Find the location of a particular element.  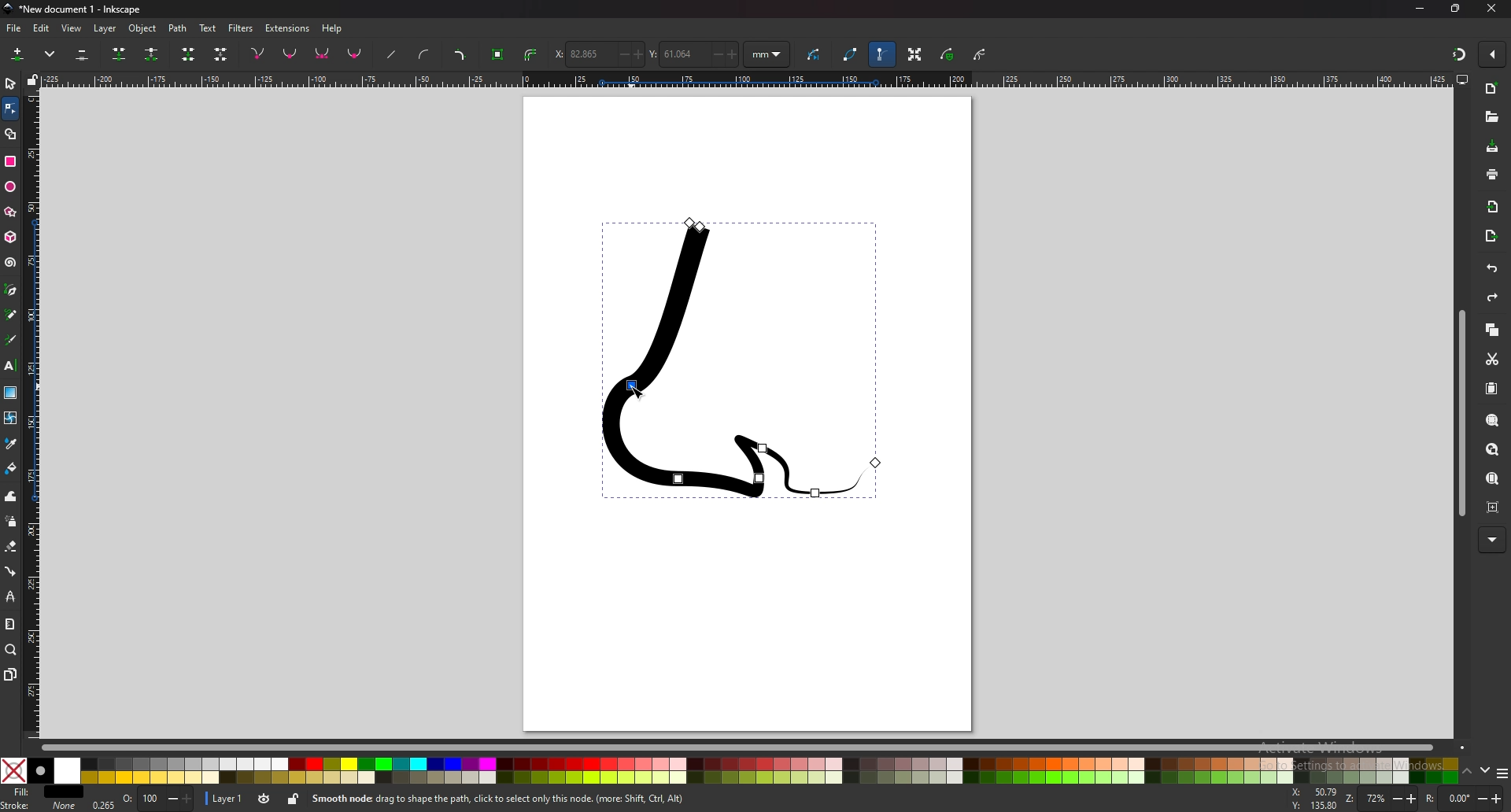

show mask is located at coordinates (948, 54).